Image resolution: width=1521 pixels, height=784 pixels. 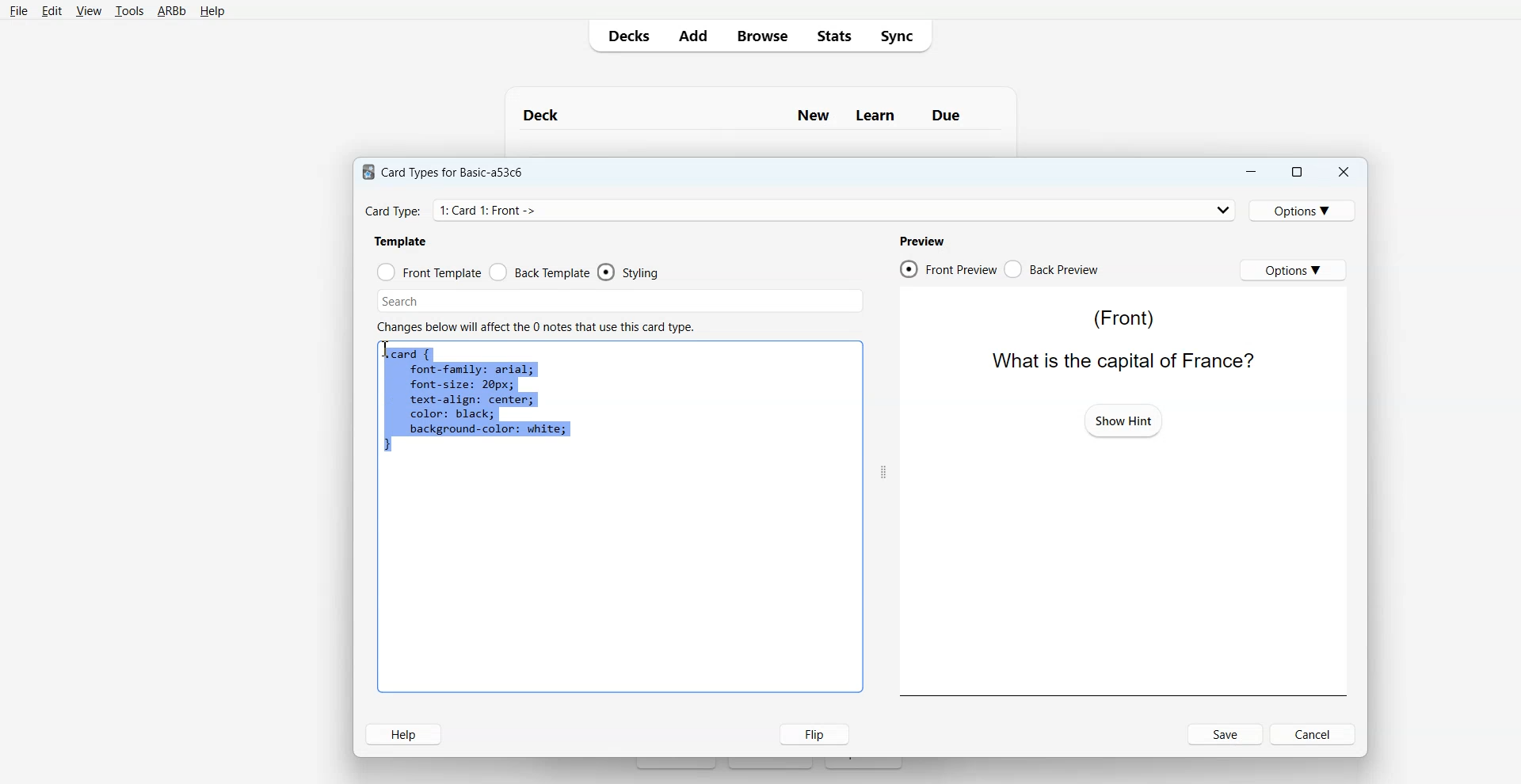 What do you see at coordinates (1293, 269) in the screenshot?
I see `Options` at bounding box center [1293, 269].